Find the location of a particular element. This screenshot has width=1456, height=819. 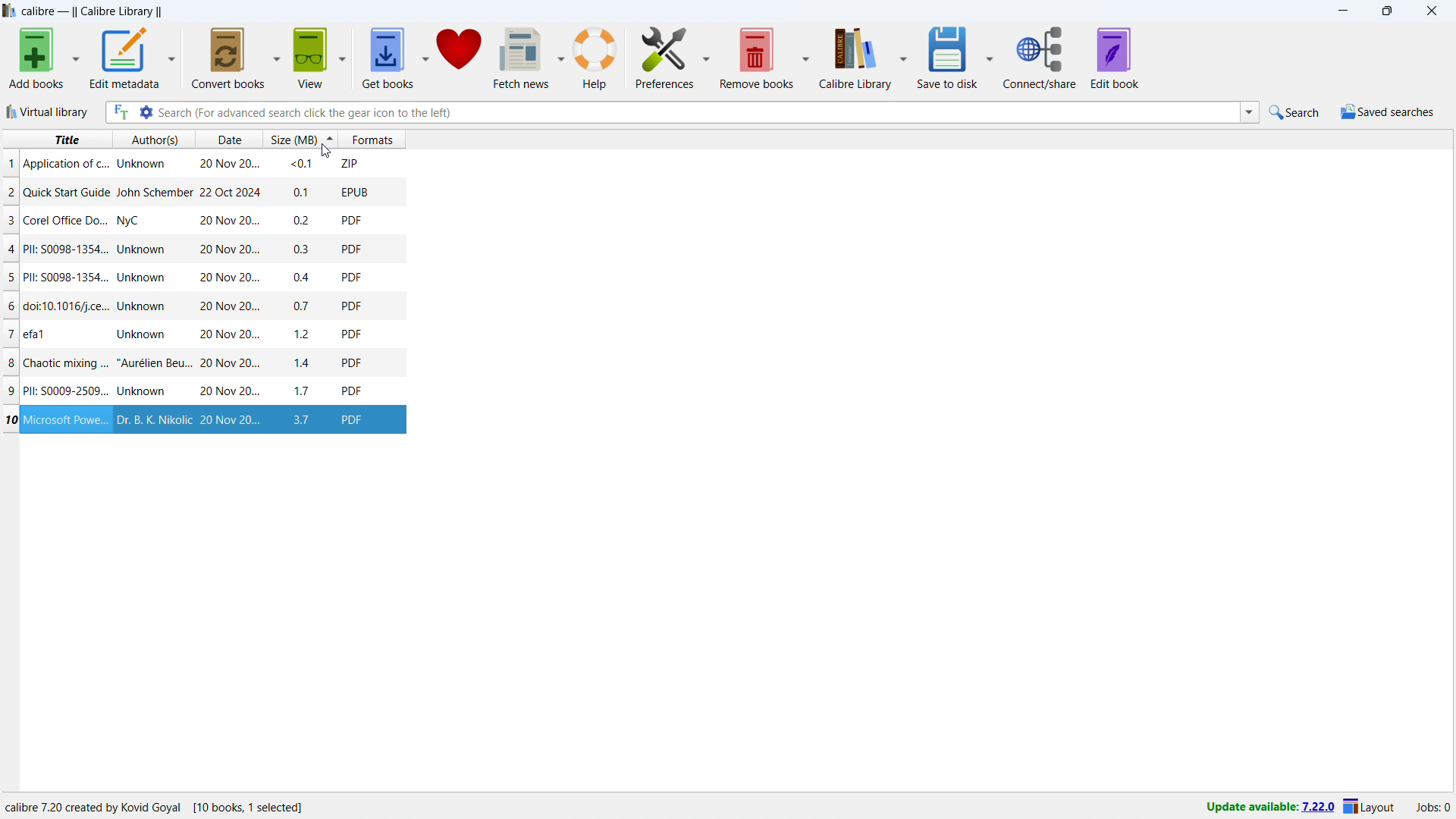

close is located at coordinates (1432, 11).